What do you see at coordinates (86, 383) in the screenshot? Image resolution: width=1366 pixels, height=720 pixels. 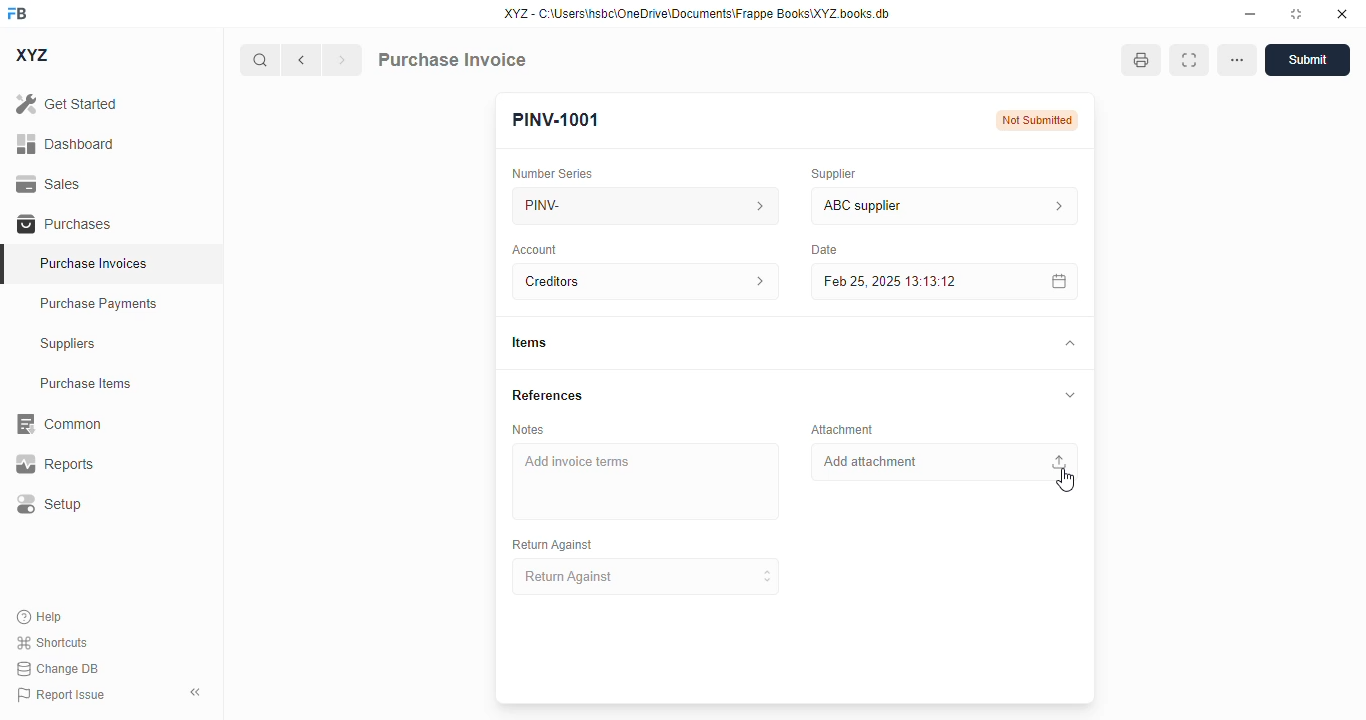 I see `purchase items` at bounding box center [86, 383].